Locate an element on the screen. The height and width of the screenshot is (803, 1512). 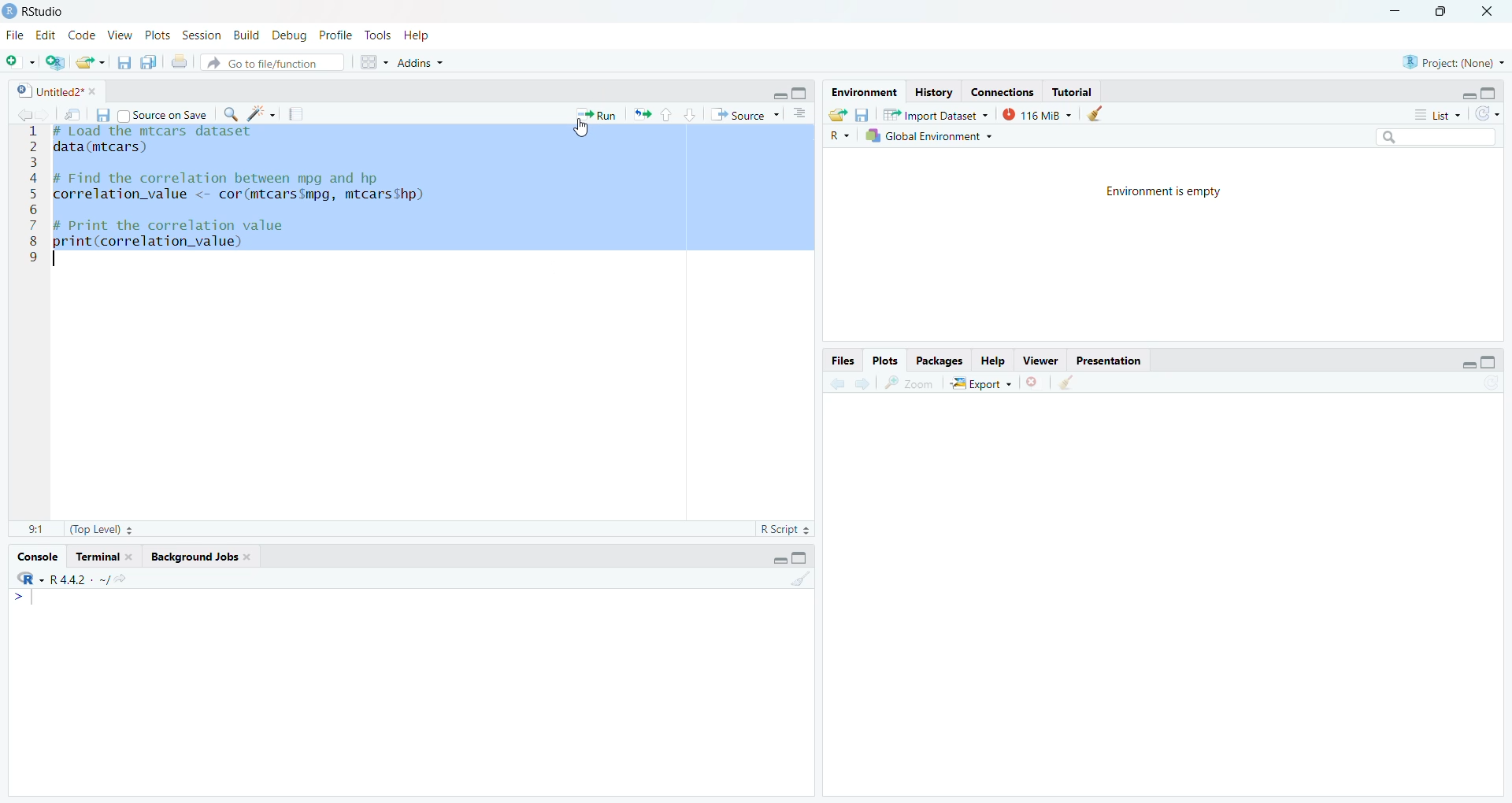
Go to previous section/chunk (Ctrl + PgUp) is located at coordinates (669, 112).